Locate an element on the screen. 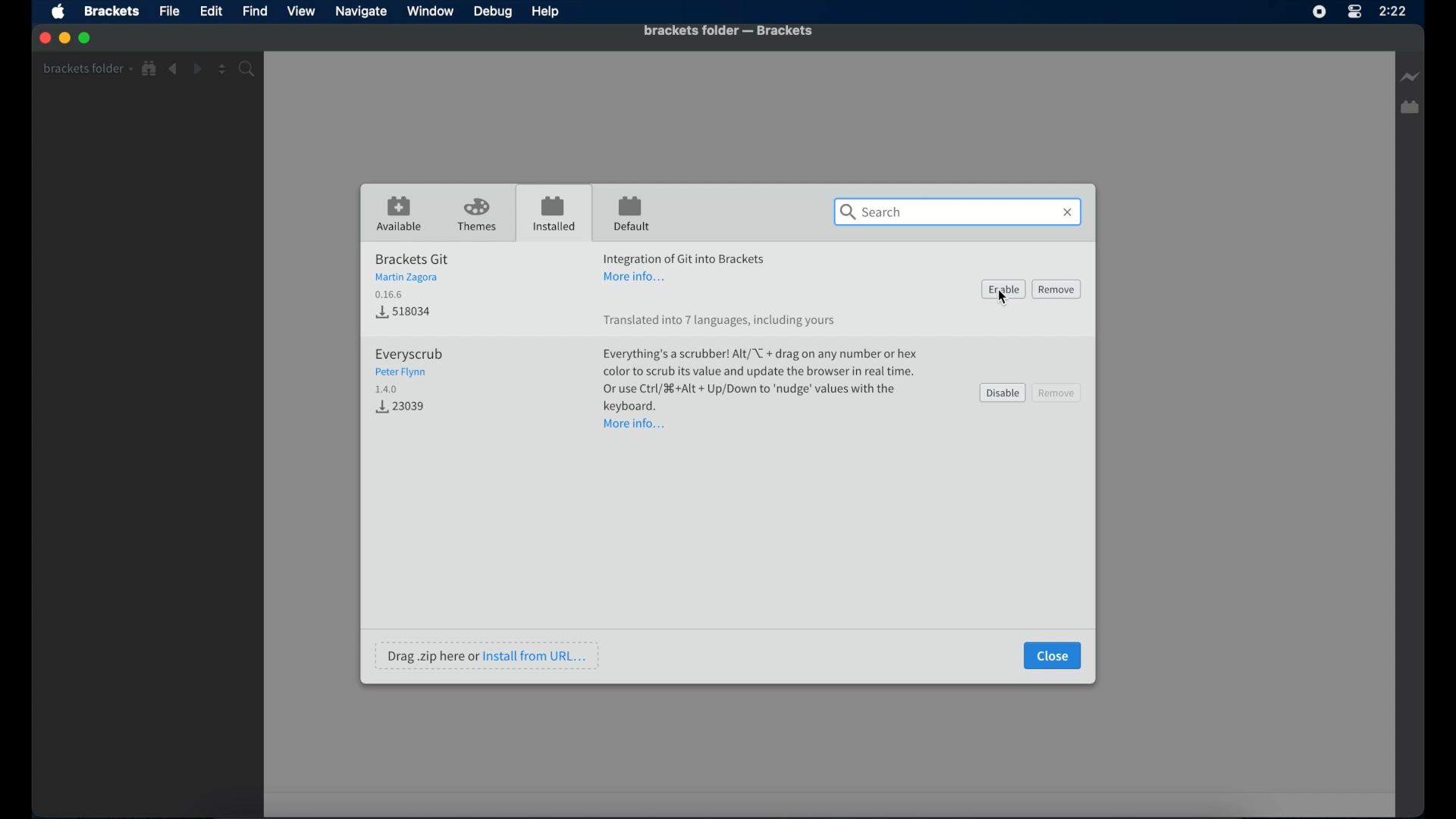  find is located at coordinates (256, 11).